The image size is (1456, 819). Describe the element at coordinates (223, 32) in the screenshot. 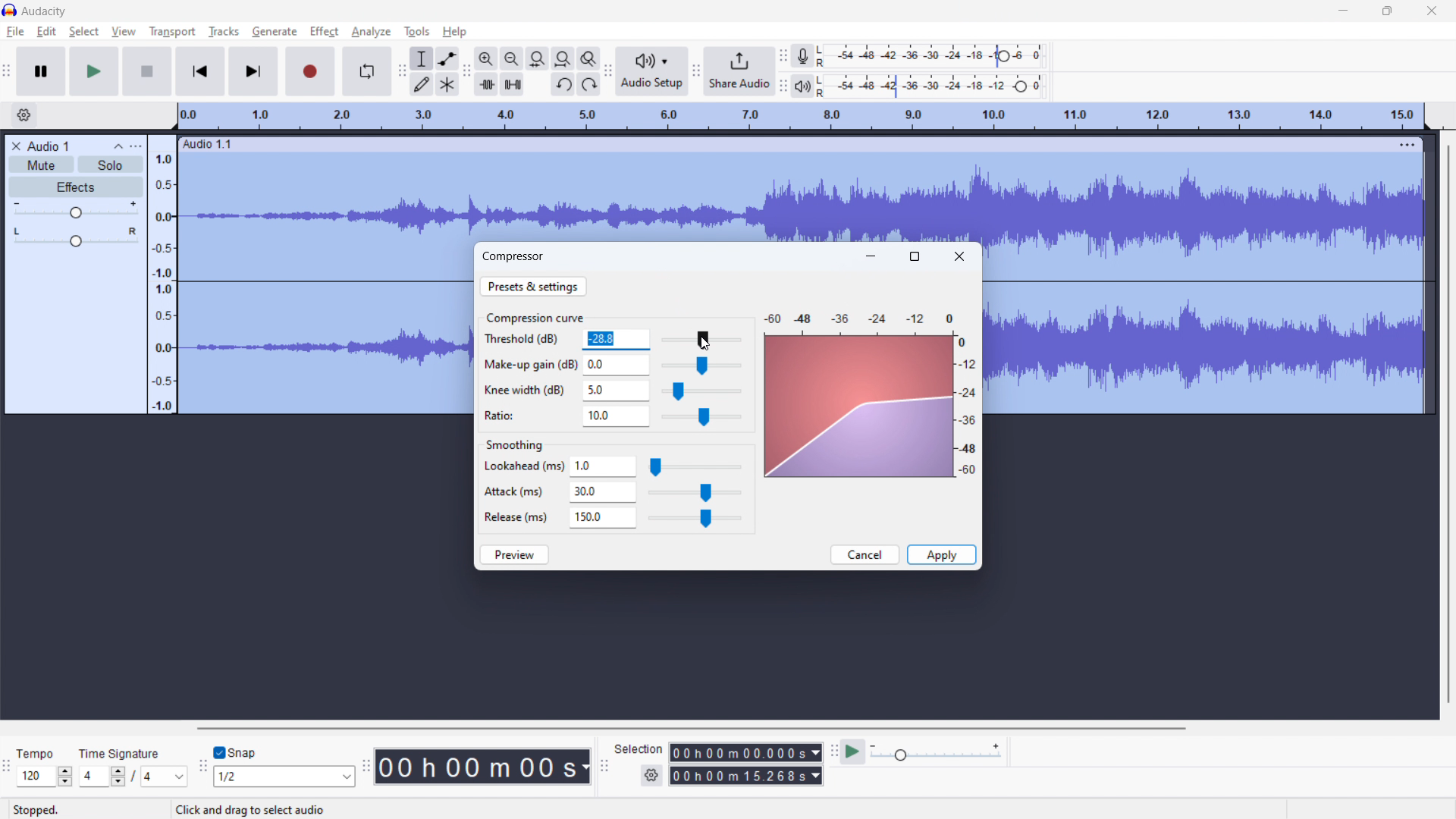

I see `tracks` at that location.